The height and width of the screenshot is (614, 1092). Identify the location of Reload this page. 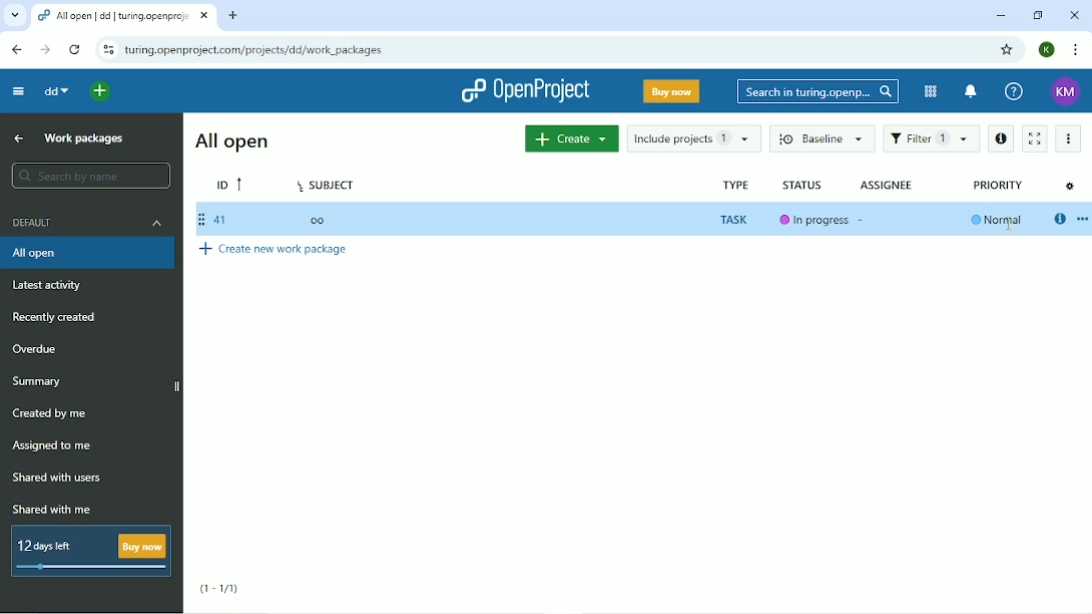
(77, 50).